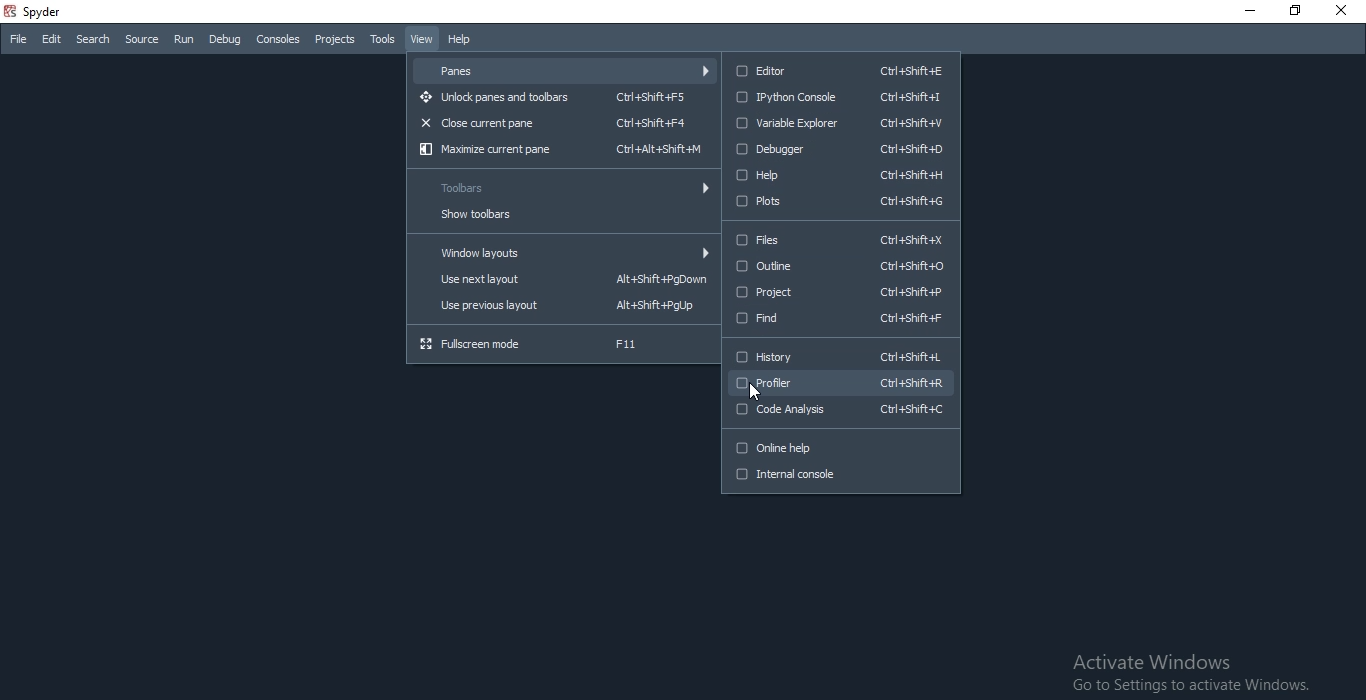 This screenshot has width=1366, height=700. I want to click on Projects, so click(335, 40).